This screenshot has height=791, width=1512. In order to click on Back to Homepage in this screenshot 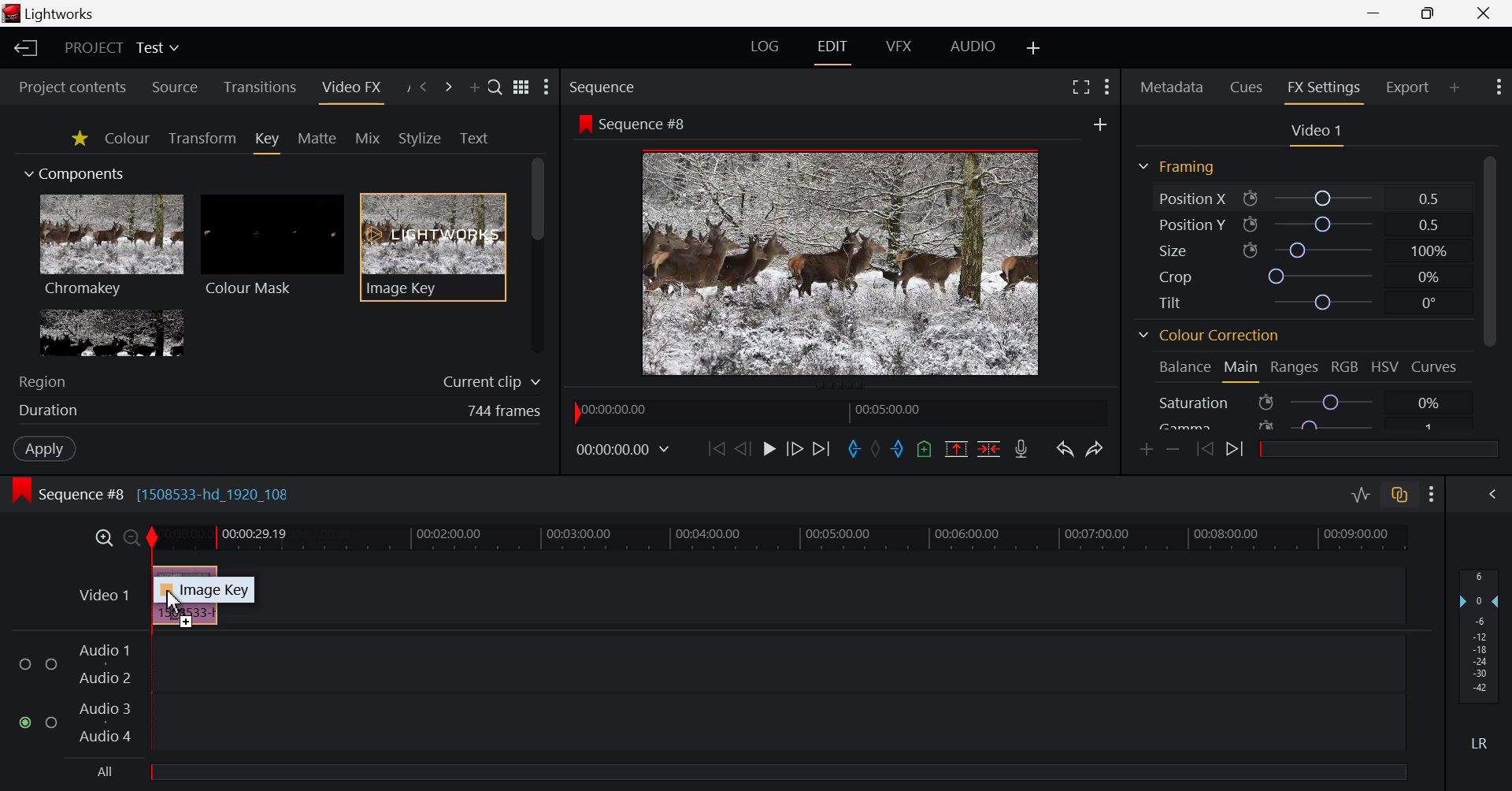, I will do `click(22, 47)`.